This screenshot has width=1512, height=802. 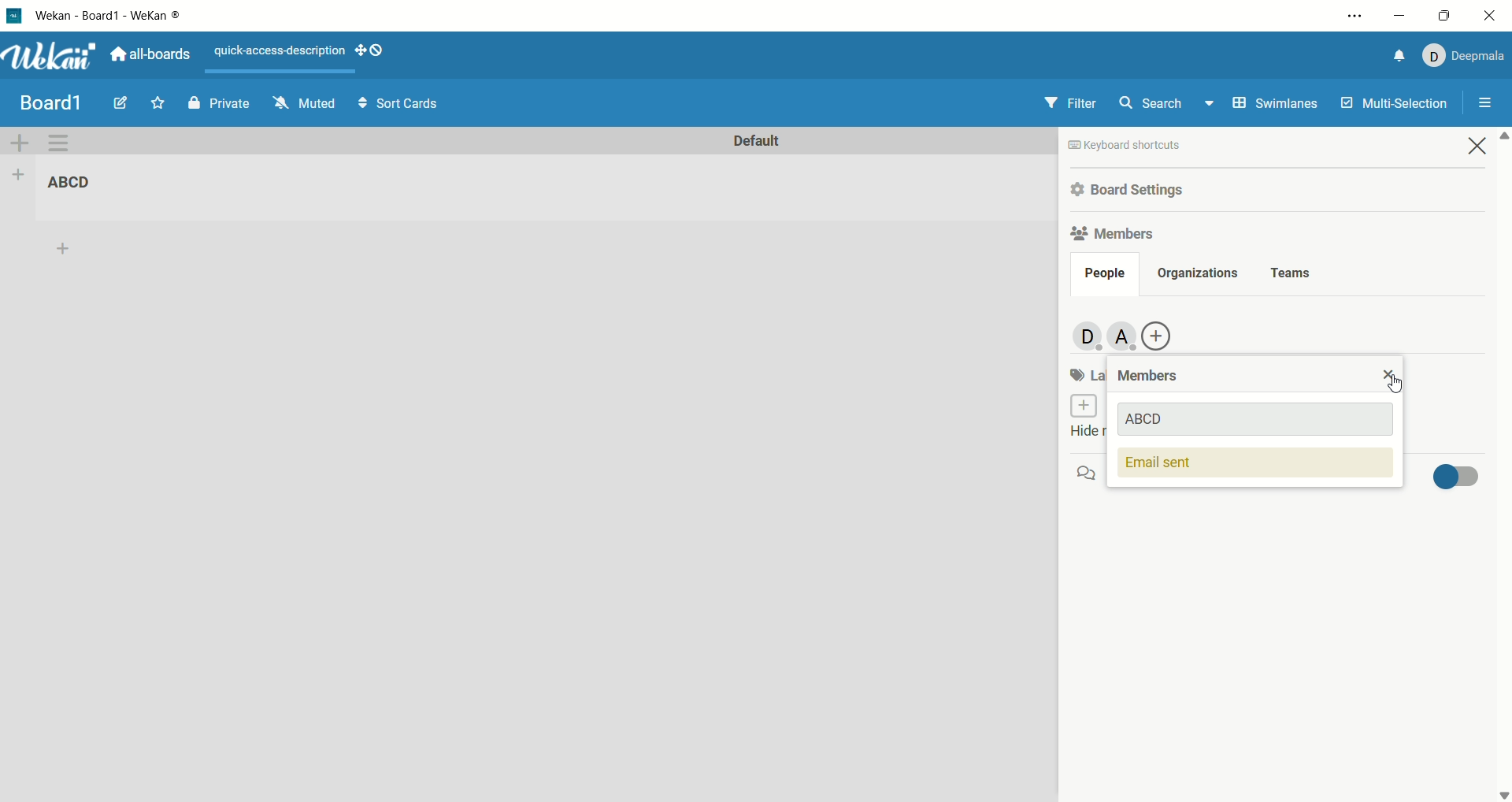 I want to click on vertical scroll bar, so click(x=1503, y=465).